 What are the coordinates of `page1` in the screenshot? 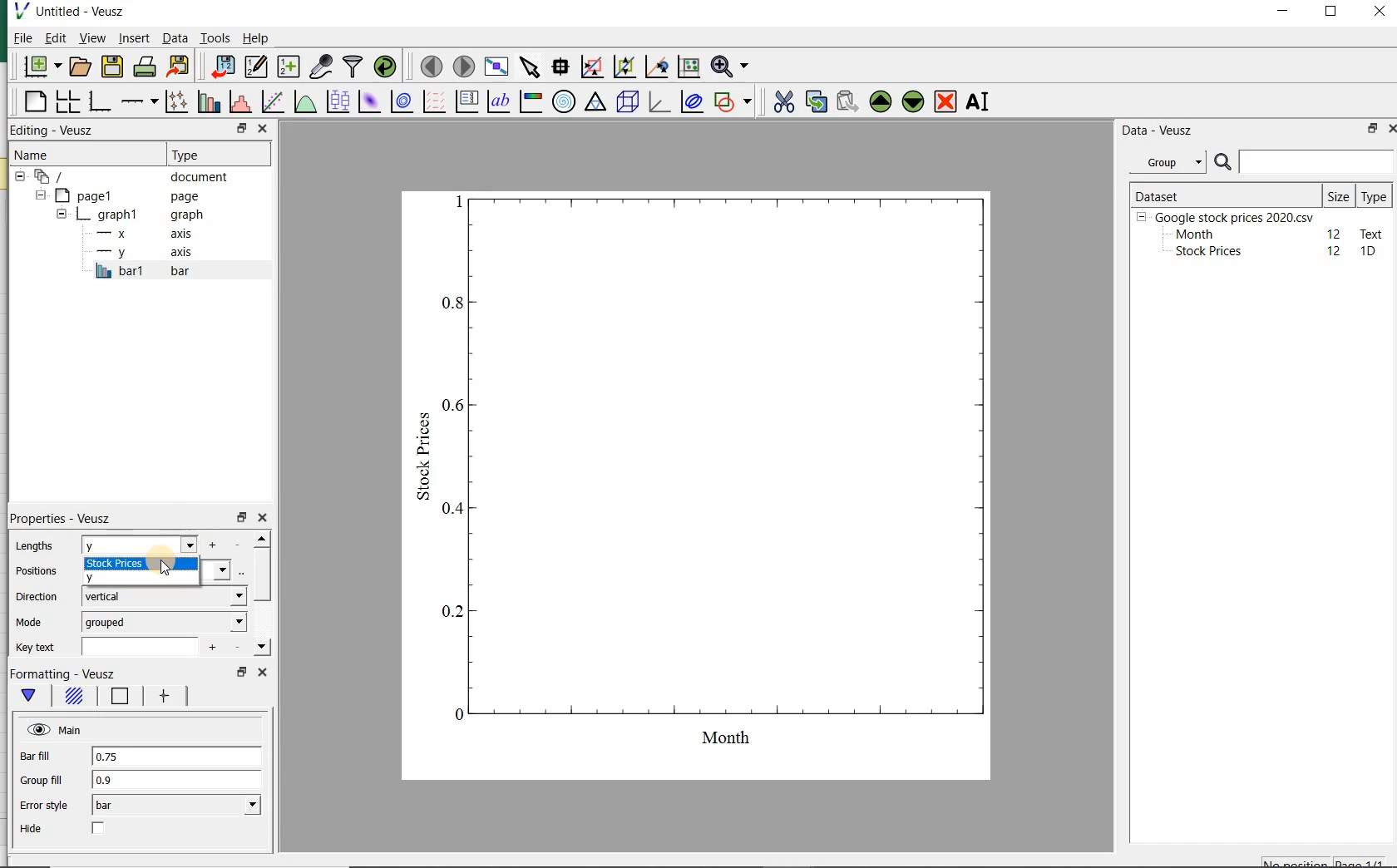 It's located at (121, 196).